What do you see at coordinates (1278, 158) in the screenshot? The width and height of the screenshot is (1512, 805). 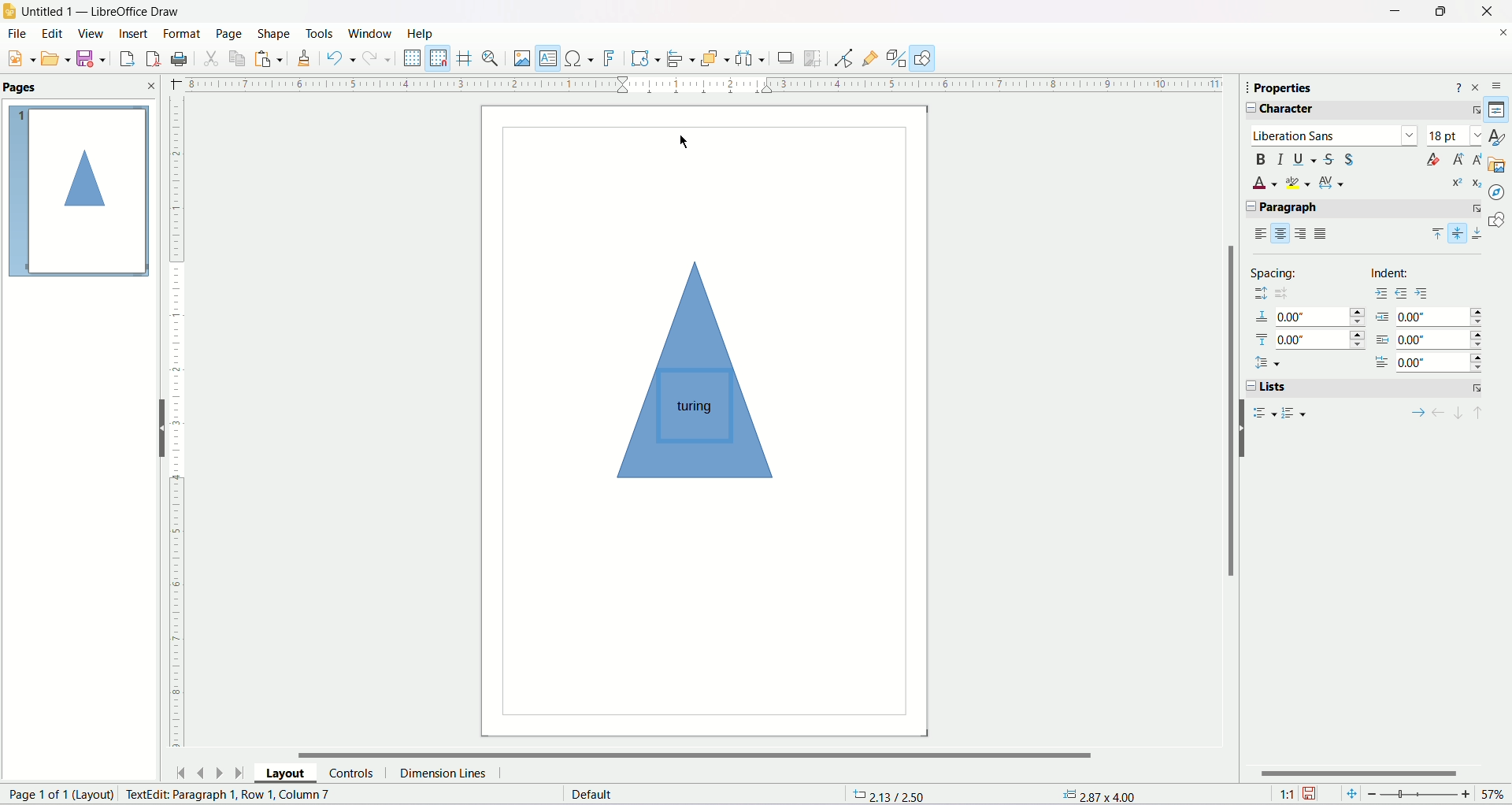 I see `italics` at bounding box center [1278, 158].